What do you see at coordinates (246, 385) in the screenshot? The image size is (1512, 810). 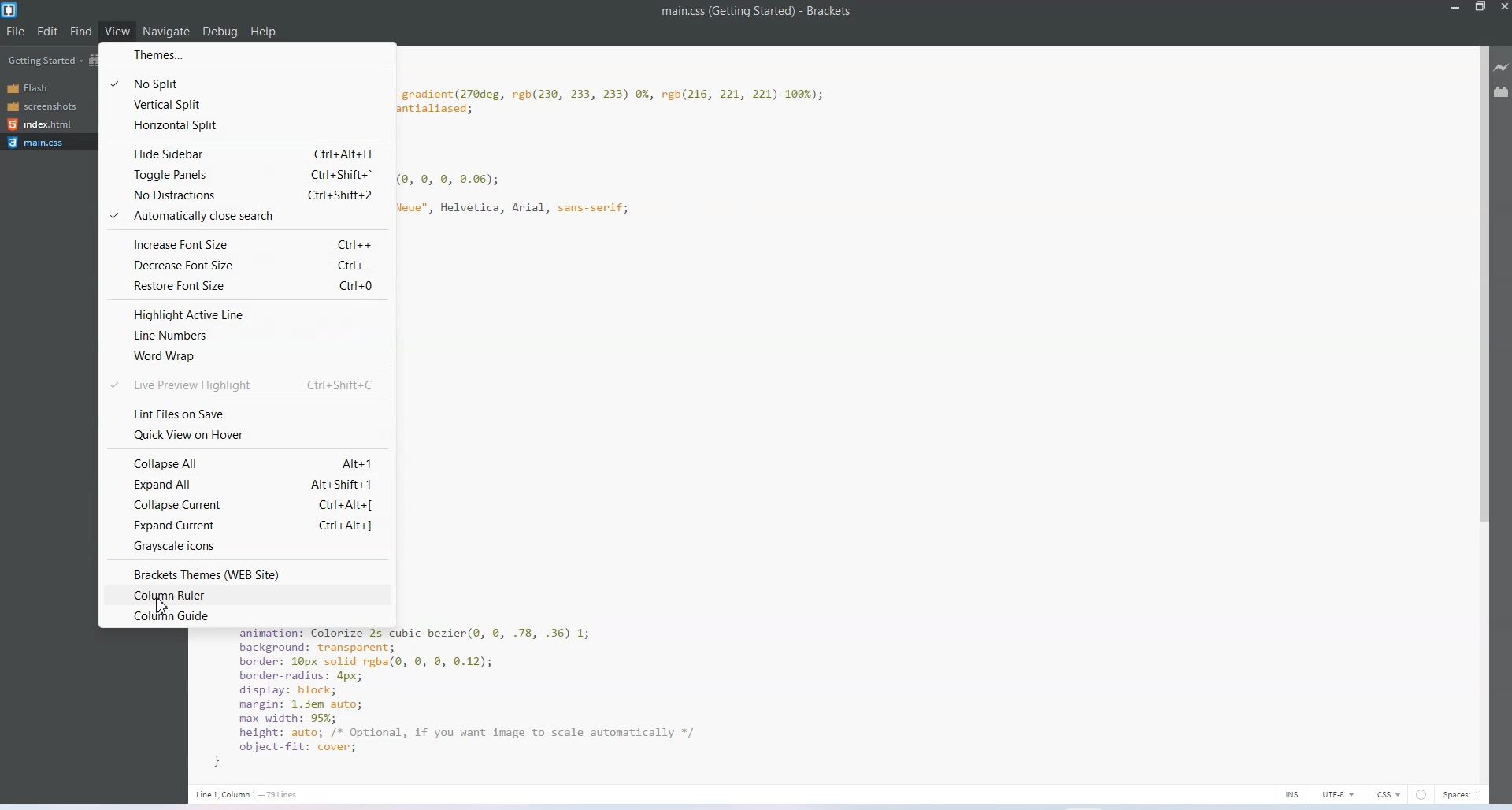 I see `Live Preview highlights` at bounding box center [246, 385].